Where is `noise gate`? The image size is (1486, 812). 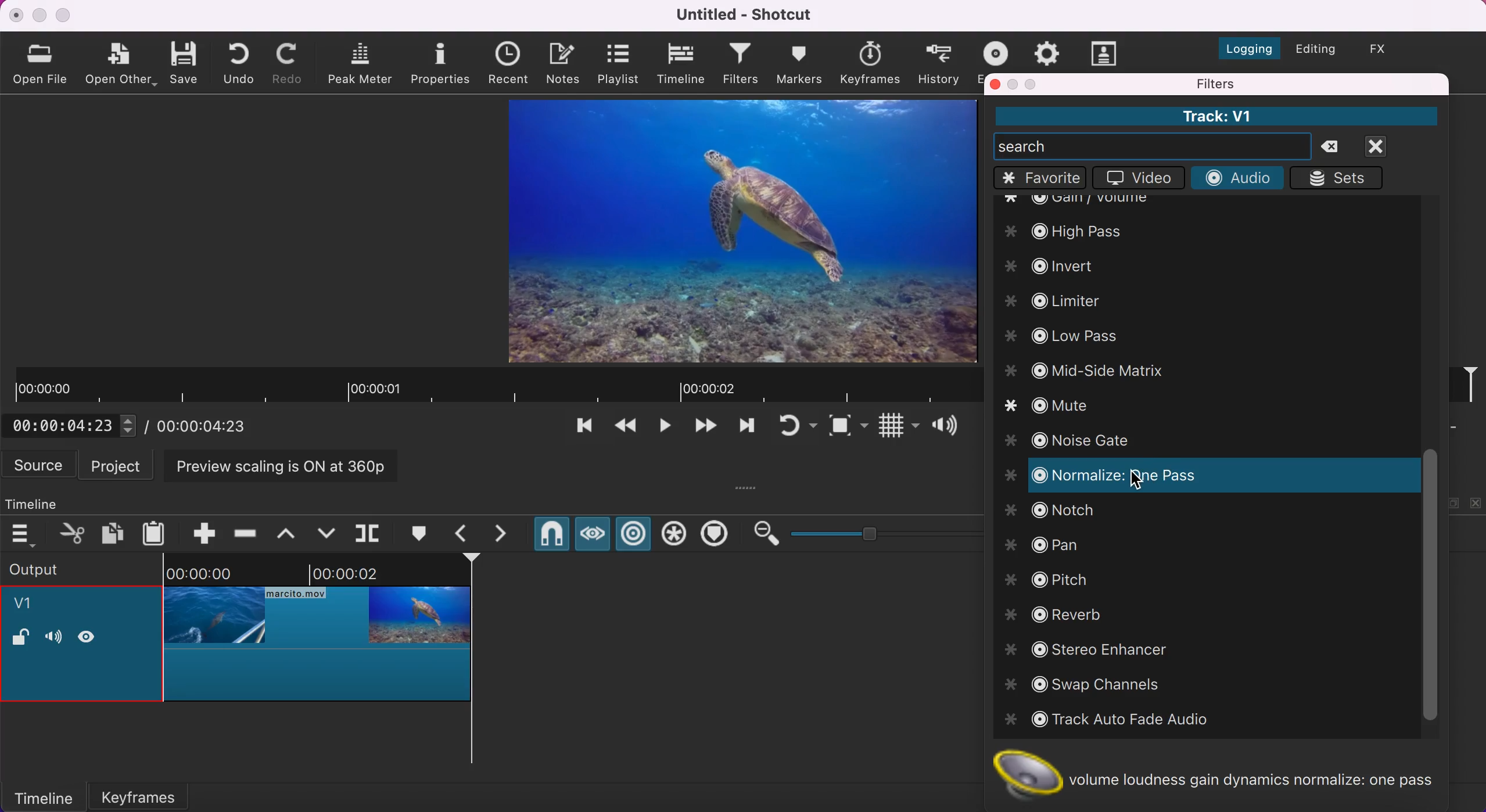 noise gate is located at coordinates (1076, 441).